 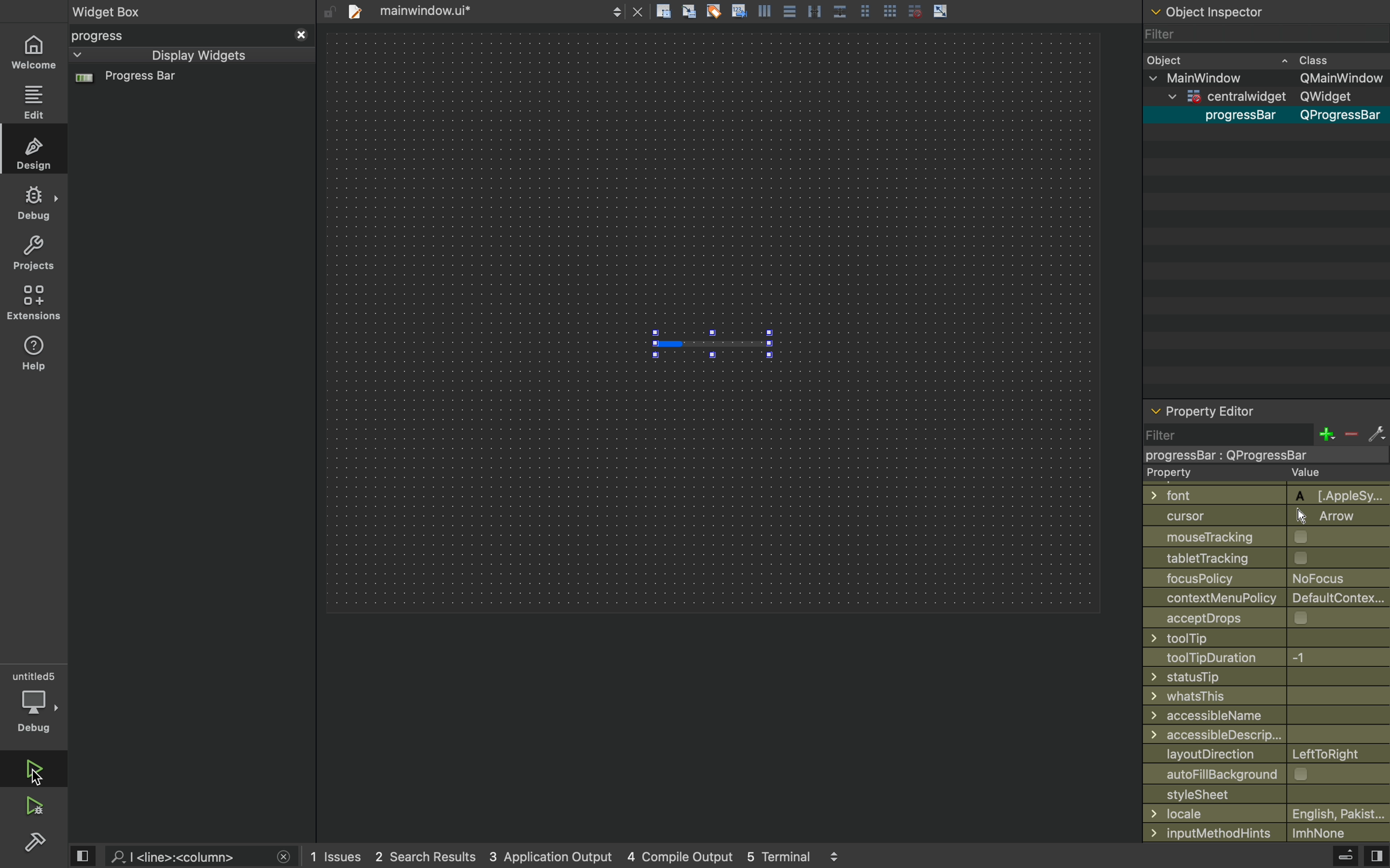 I want to click on progress br widget, so click(x=188, y=83).